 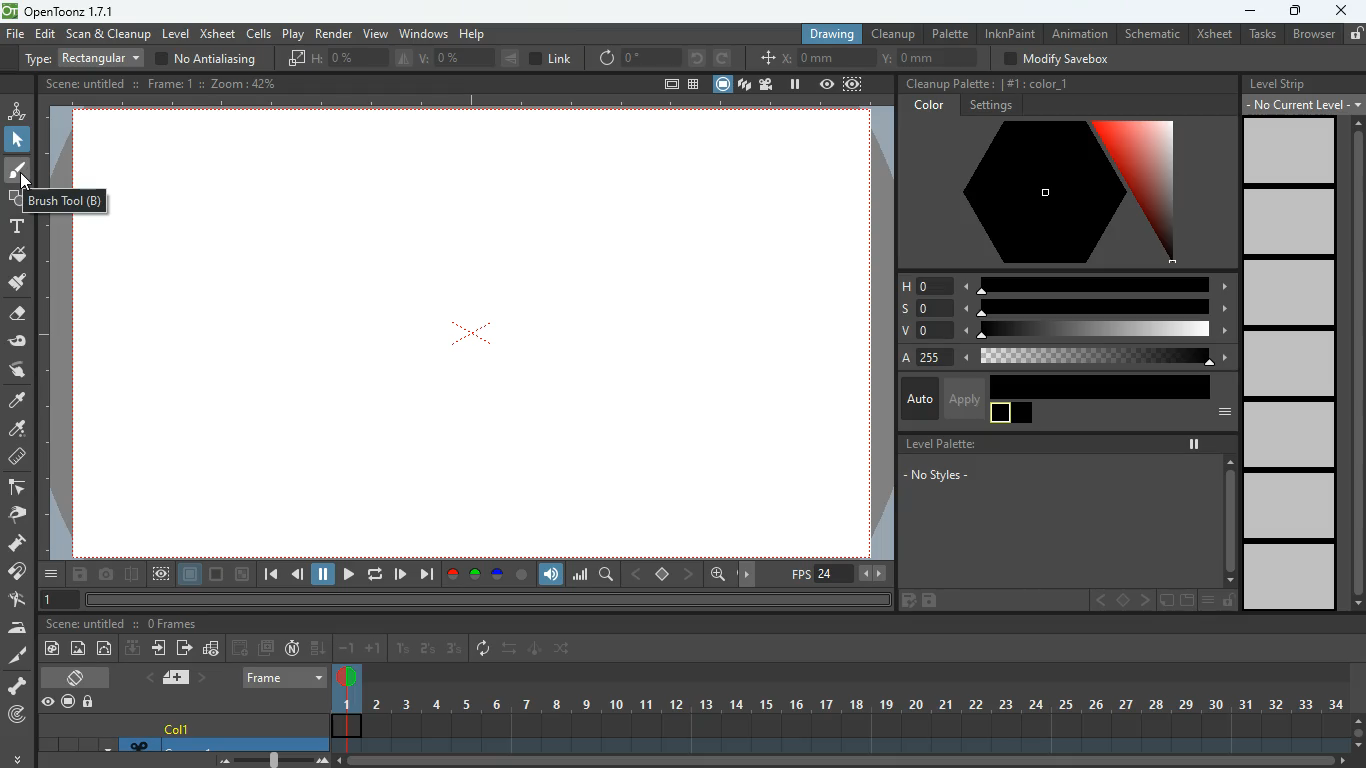 I want to click on measure, so click(x=16, y=458).